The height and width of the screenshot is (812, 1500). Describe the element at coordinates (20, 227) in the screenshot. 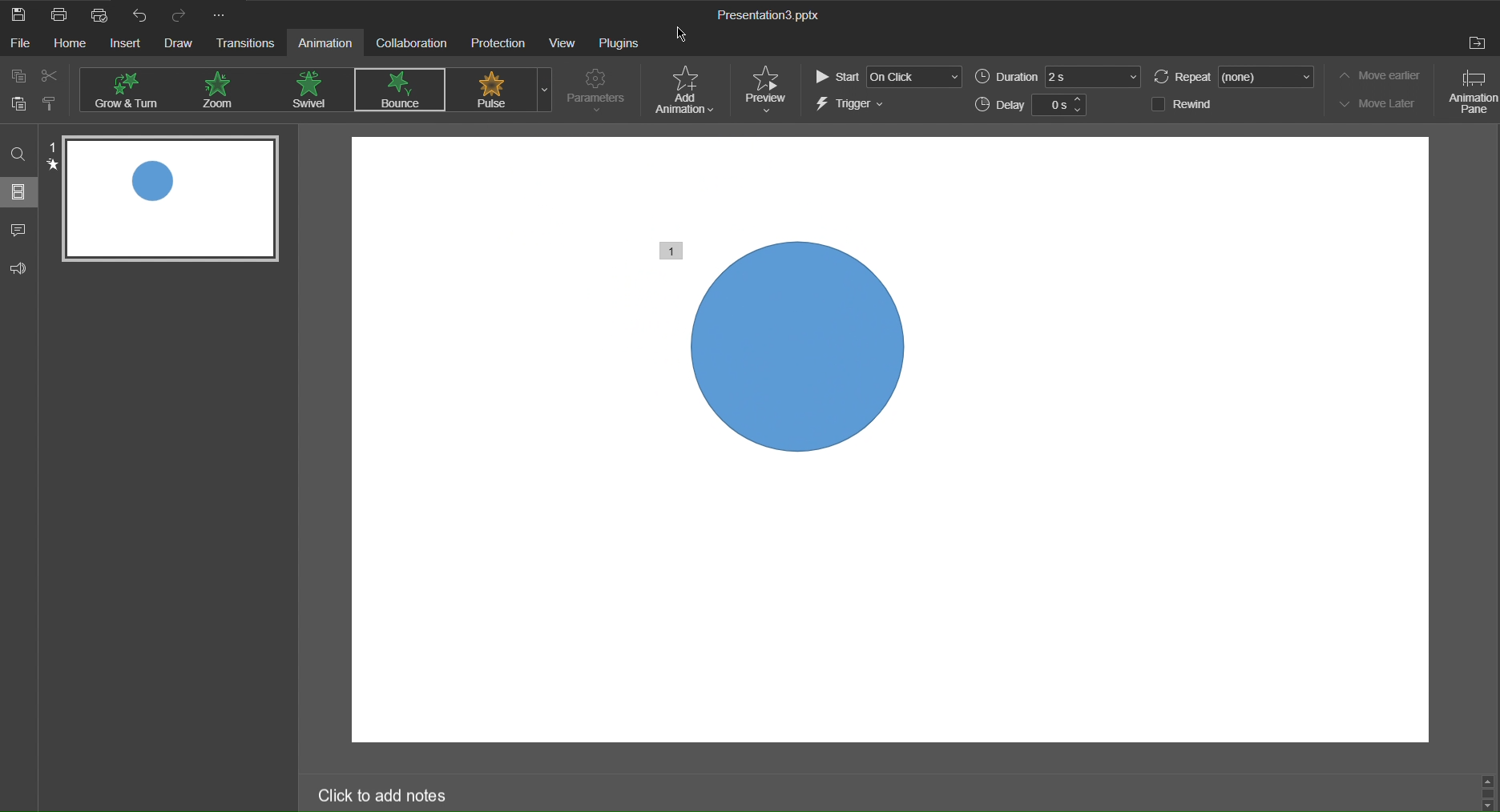

I see `Comments` at that location.